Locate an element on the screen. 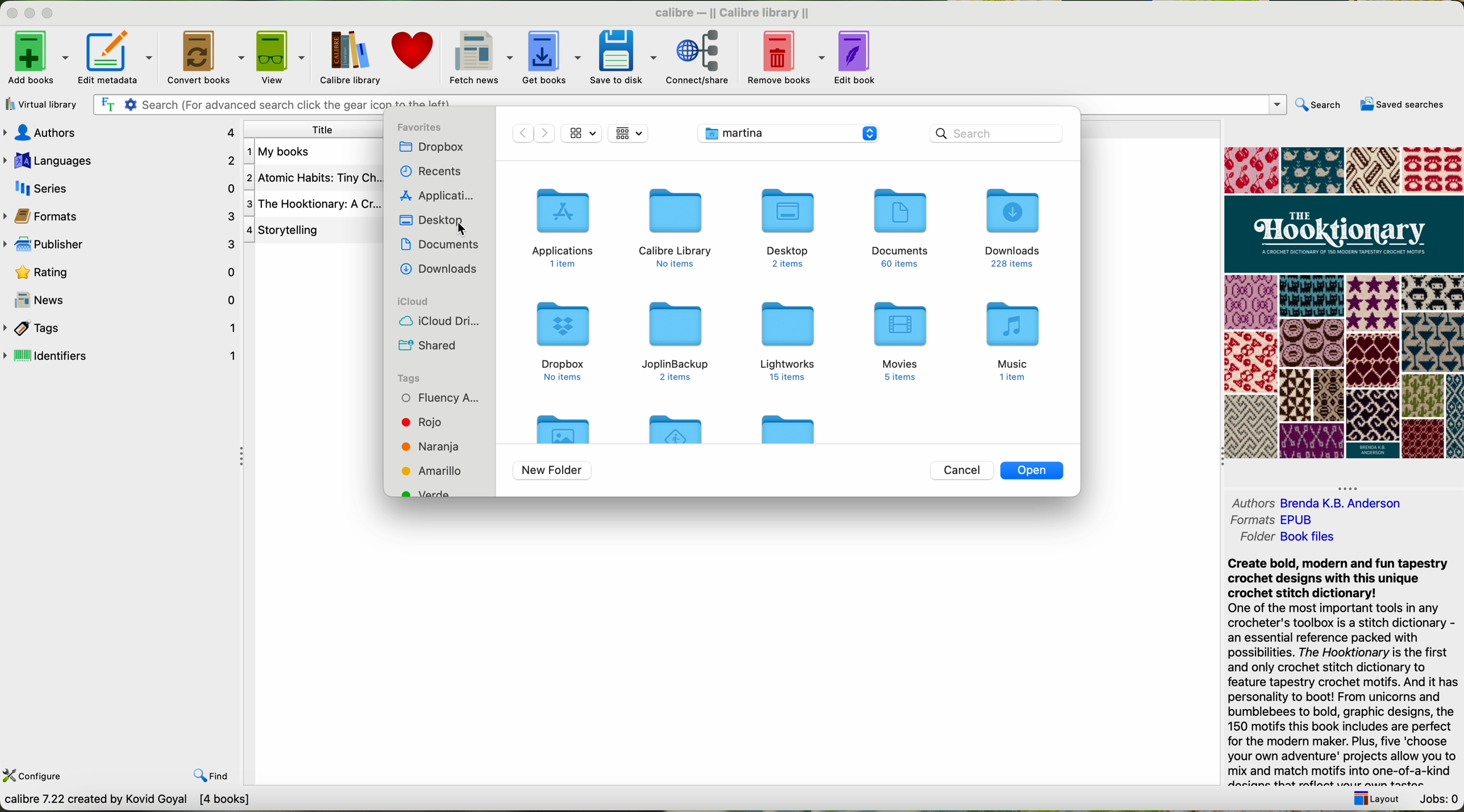  folder is located at coordinates (789, 425).